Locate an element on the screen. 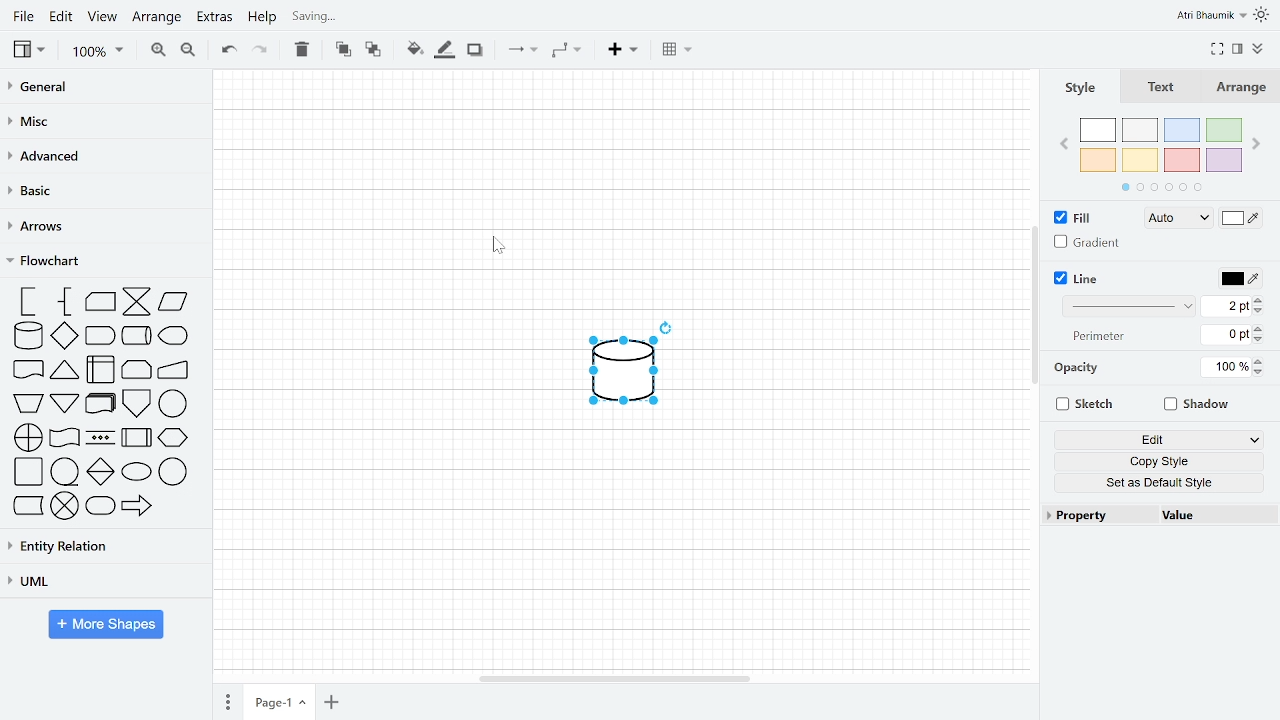  loop limit  is located at coordinates (137, 370).